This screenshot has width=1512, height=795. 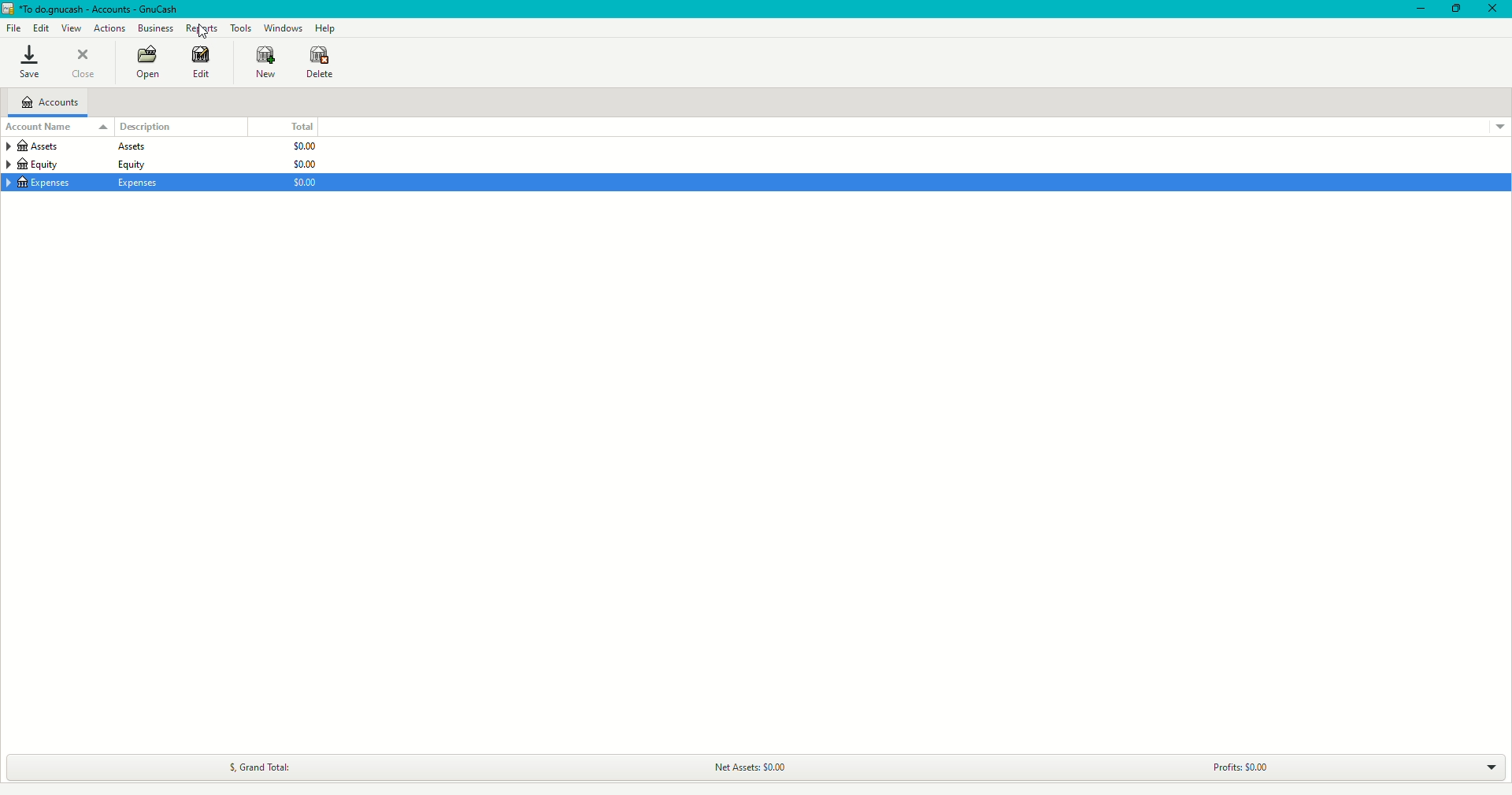 What do you see at coordinates (262, 766) in the screenshot?
I see `Grand Total` at bounding box center [262, 766].